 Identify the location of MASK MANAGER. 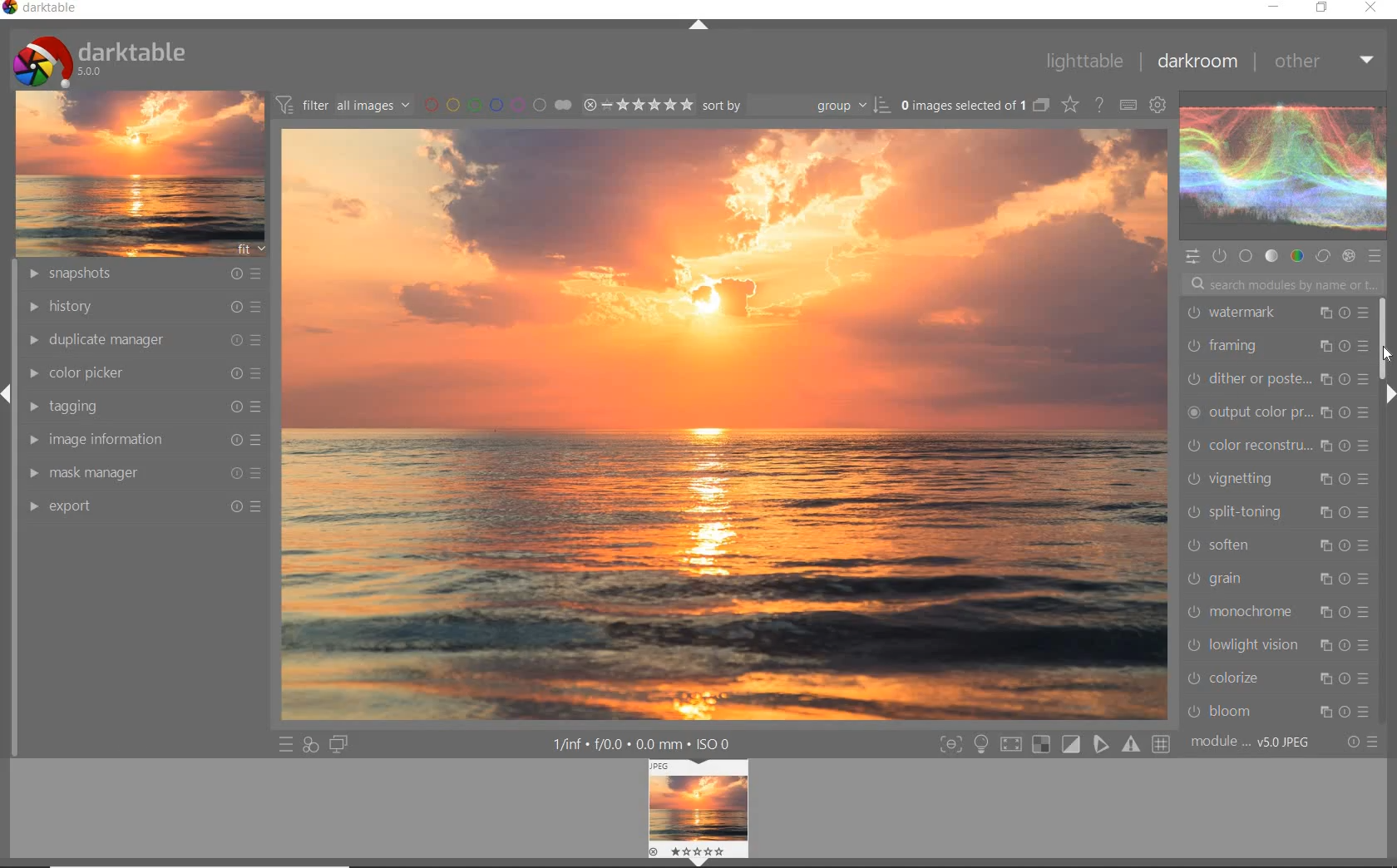
(143, 472).